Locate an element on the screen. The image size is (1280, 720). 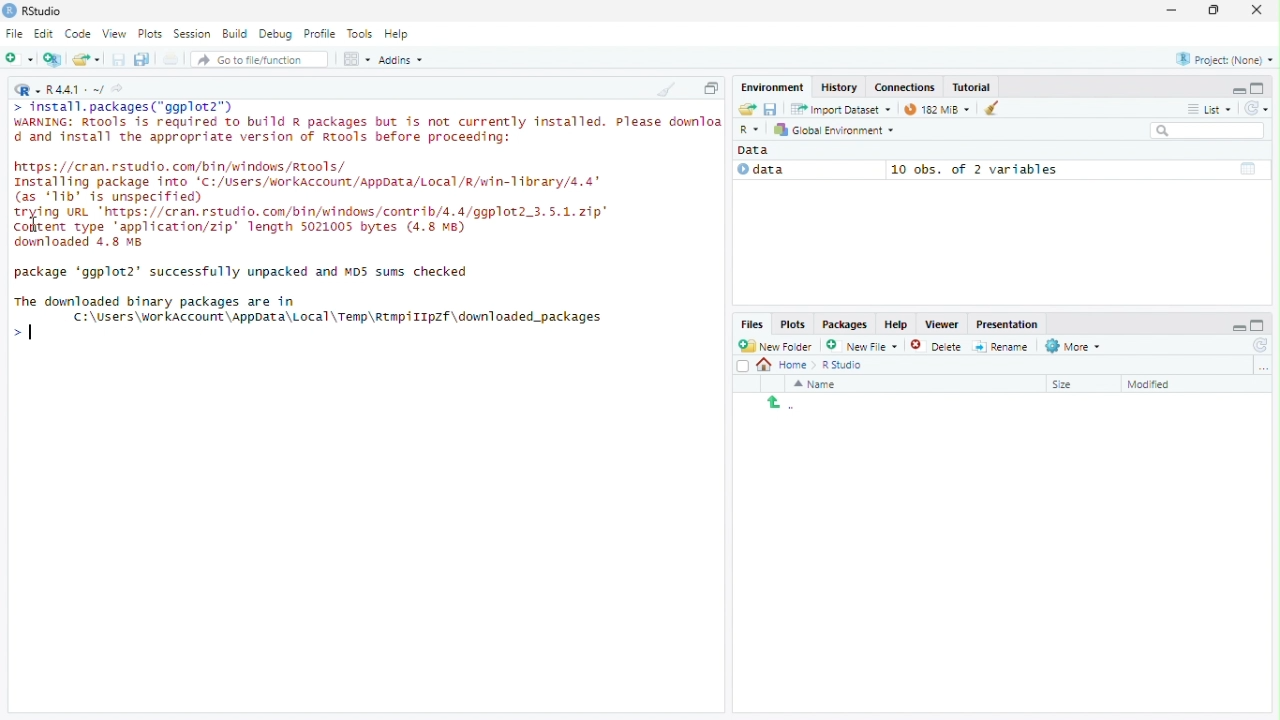
View is located at coordinates (116, 32).